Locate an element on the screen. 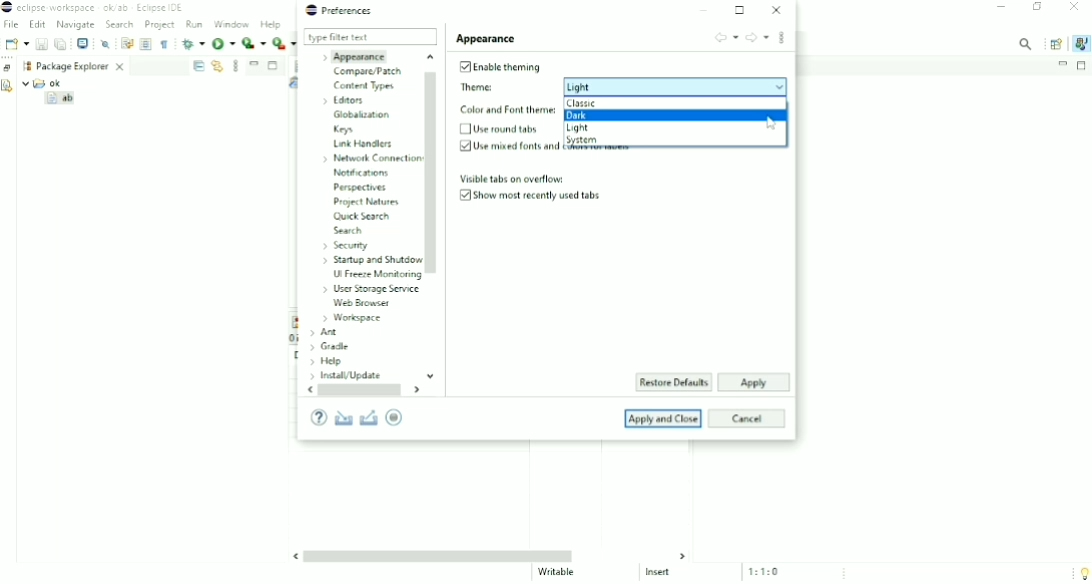 The width and height of the screenshot is (1092, 584). Help is located at coordinates (318, 418).